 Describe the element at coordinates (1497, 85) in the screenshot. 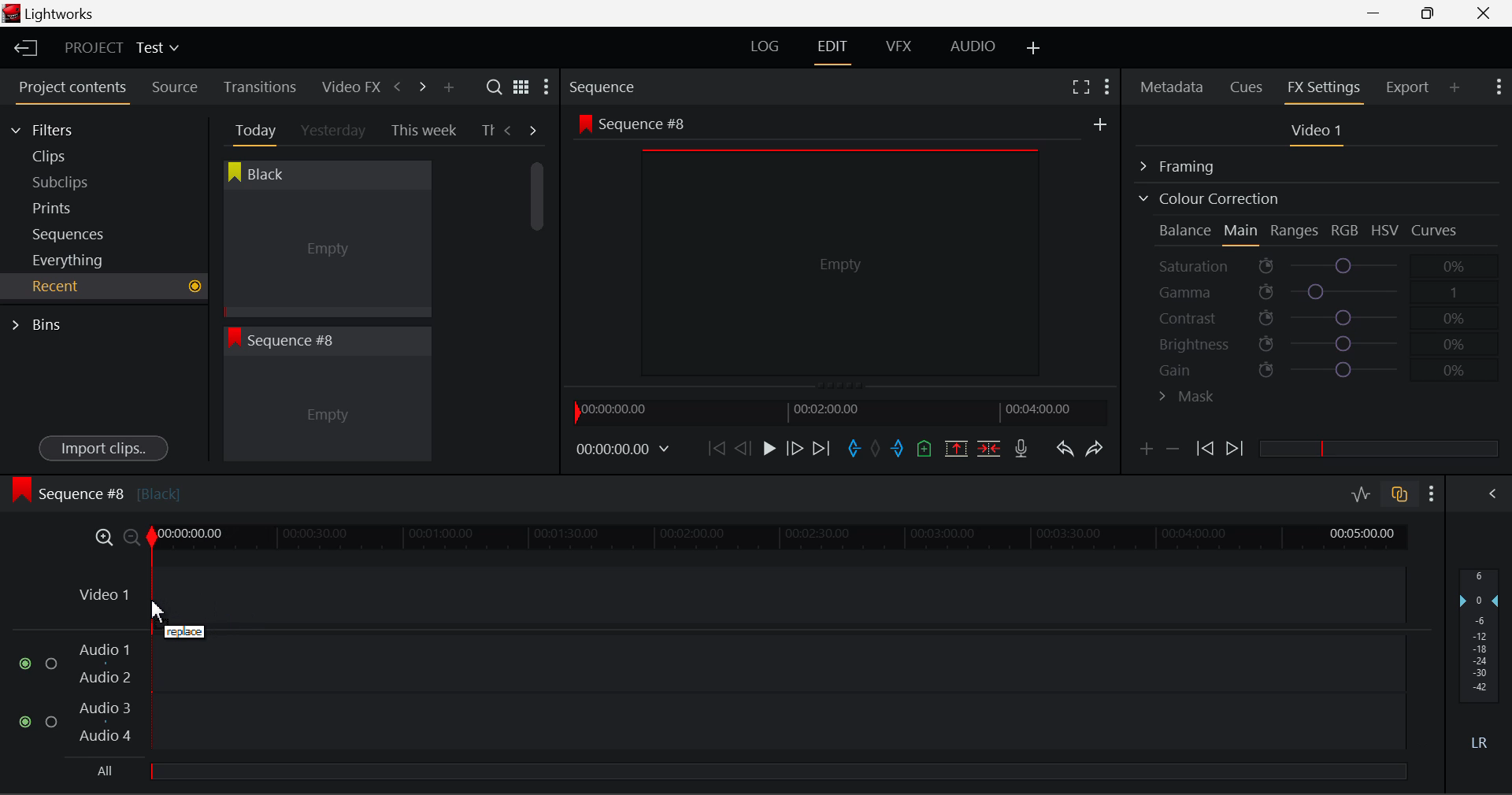

I see `Show Settings` at that location.